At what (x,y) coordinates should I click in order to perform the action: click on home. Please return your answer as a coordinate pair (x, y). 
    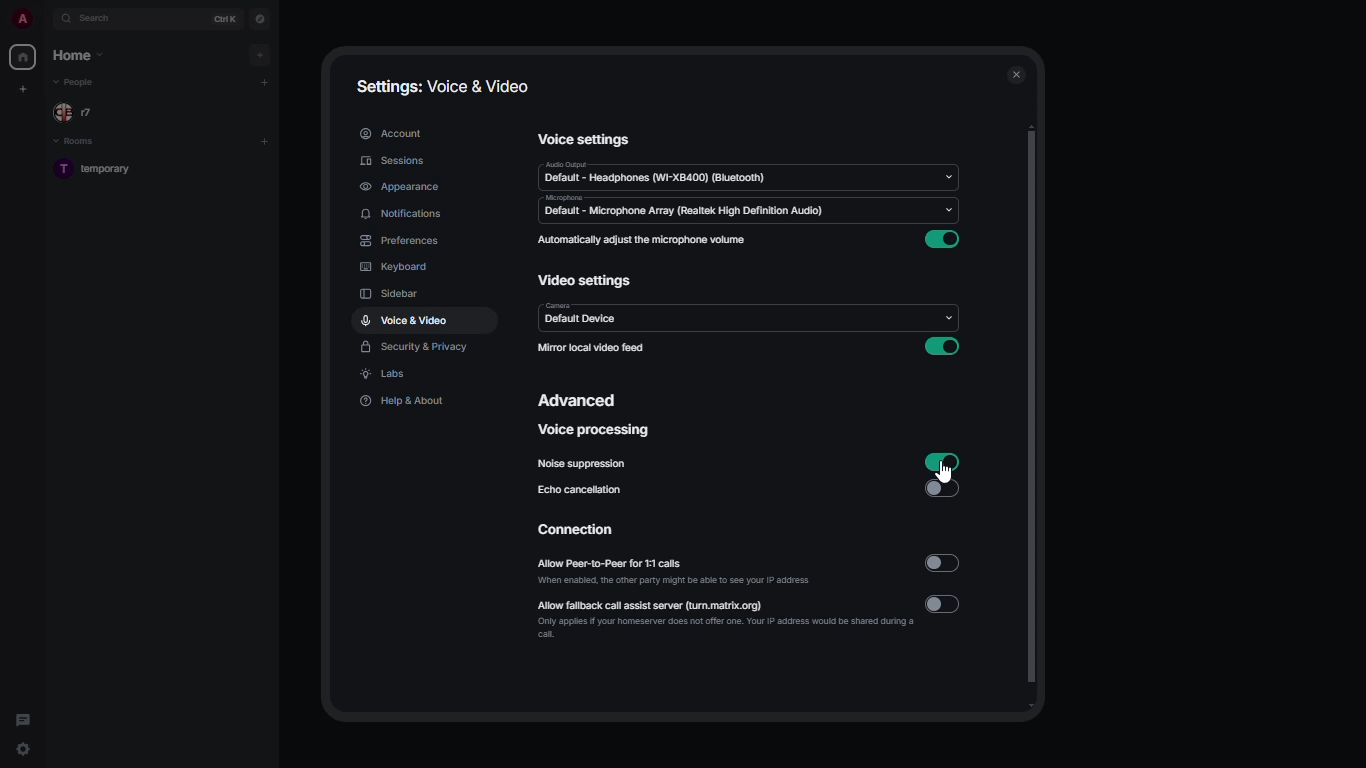
    Looking at the image, I should click on (24, 57).